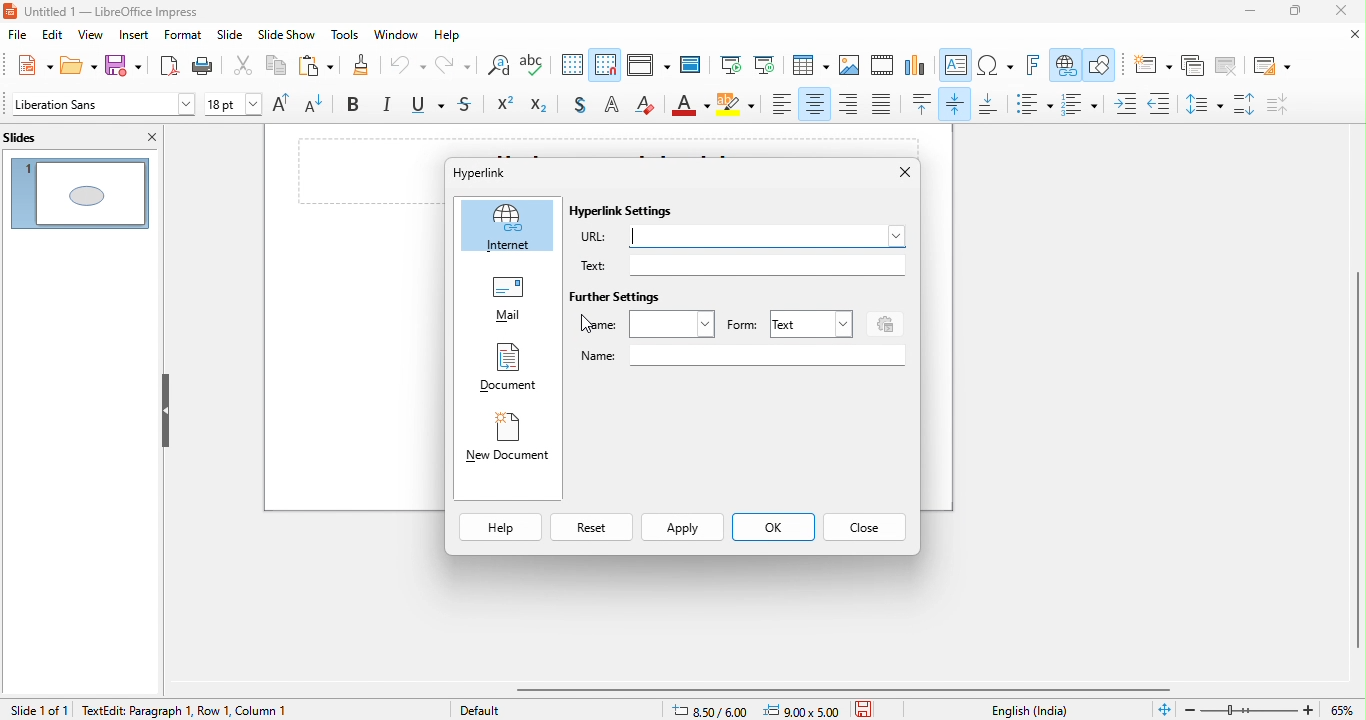 The width and height of the screenshot is (1366, 720). Describe the element at coordinates (957, 103) in the screenshot. I see `align vertically` at that location.